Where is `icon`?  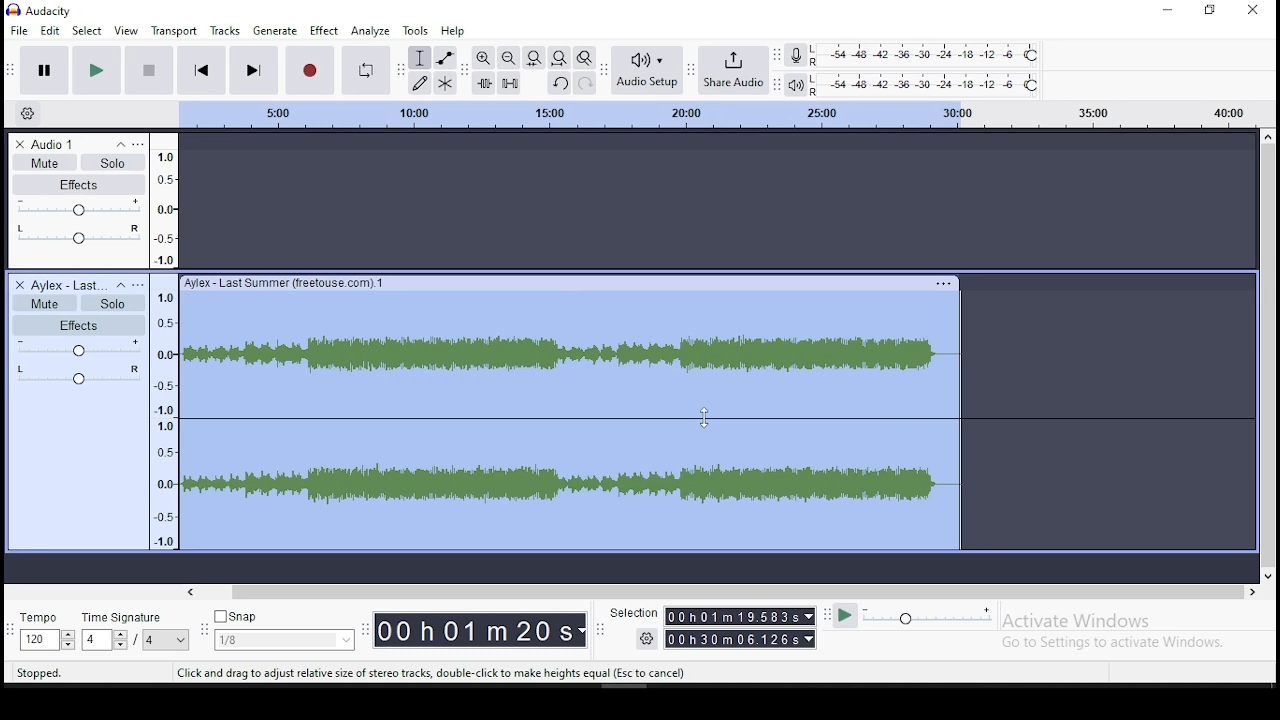 icon is located at coordinates (44, 11).